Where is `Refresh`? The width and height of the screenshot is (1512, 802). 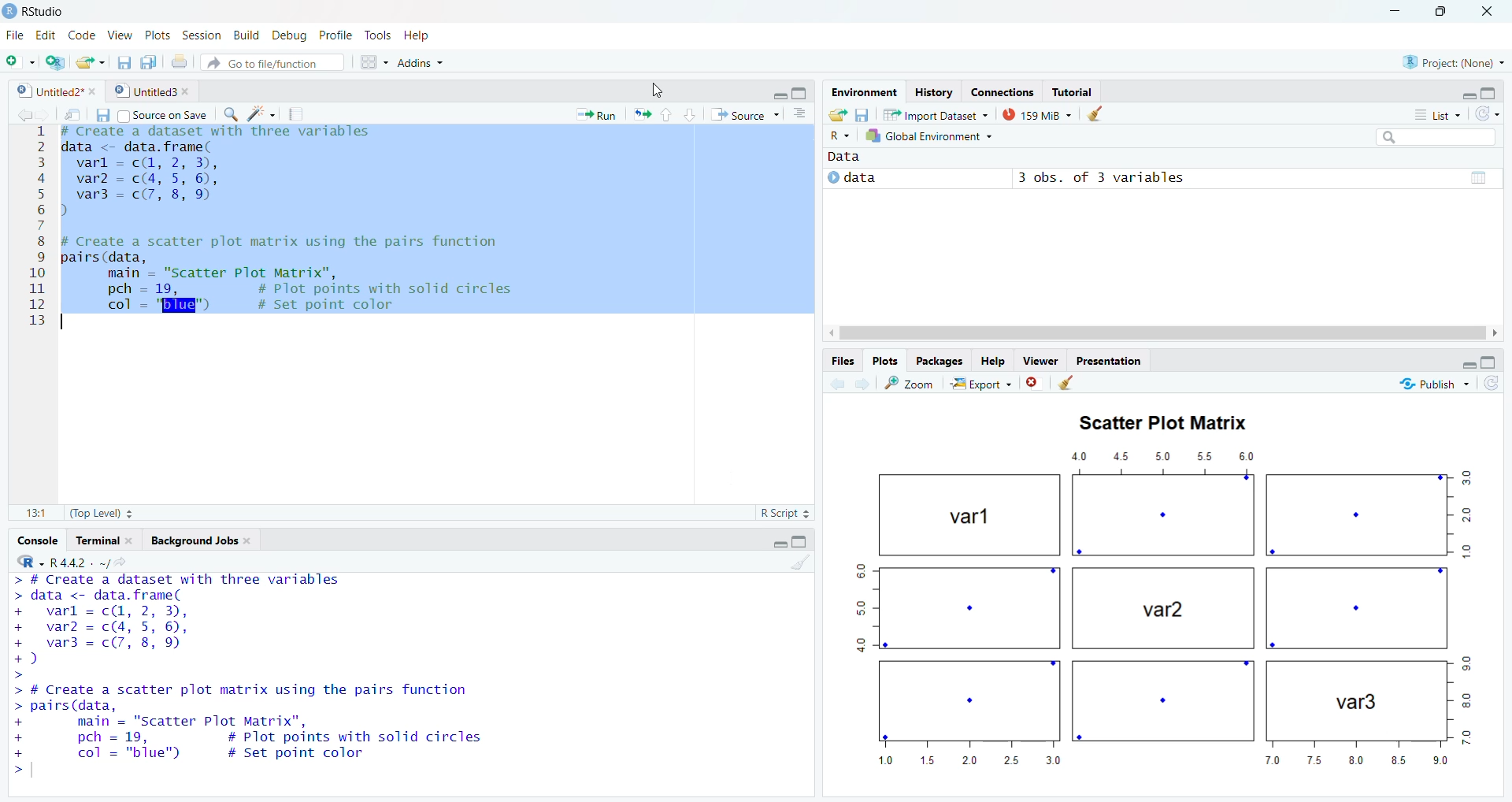 Refresh is located at coordinates (1492, 113).